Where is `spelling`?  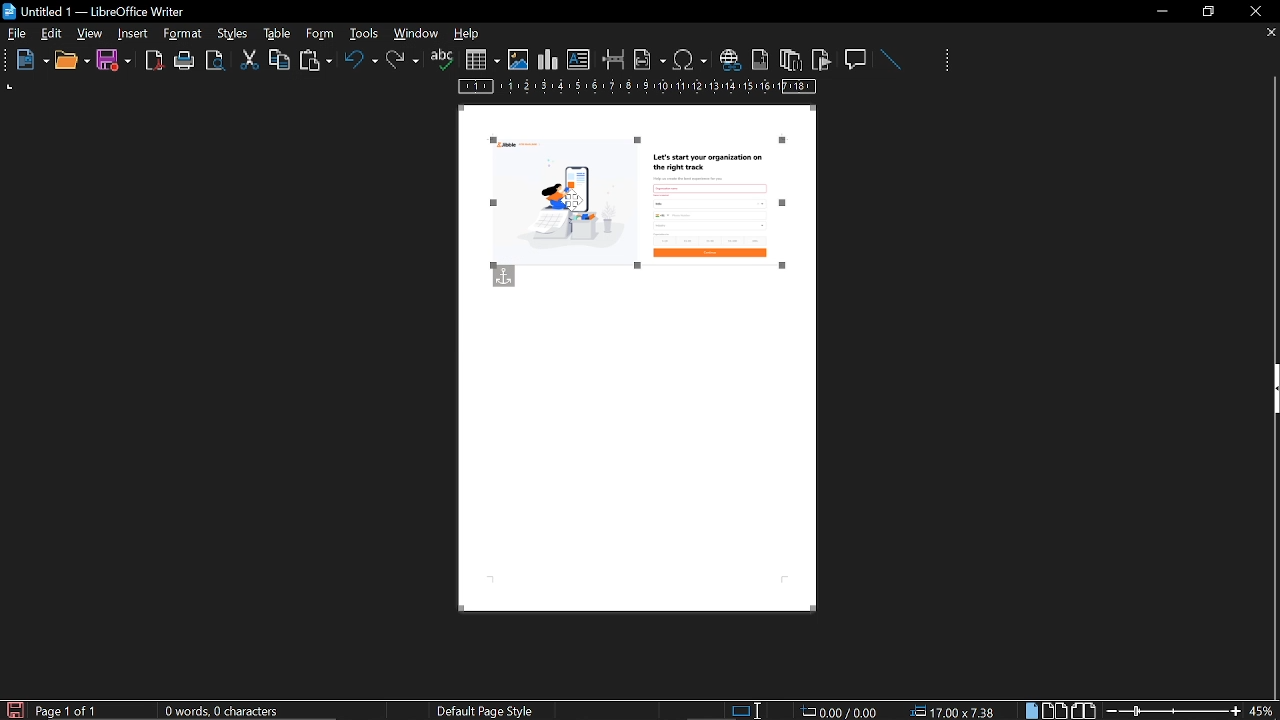 spelling is located at coordinates (442, 60).